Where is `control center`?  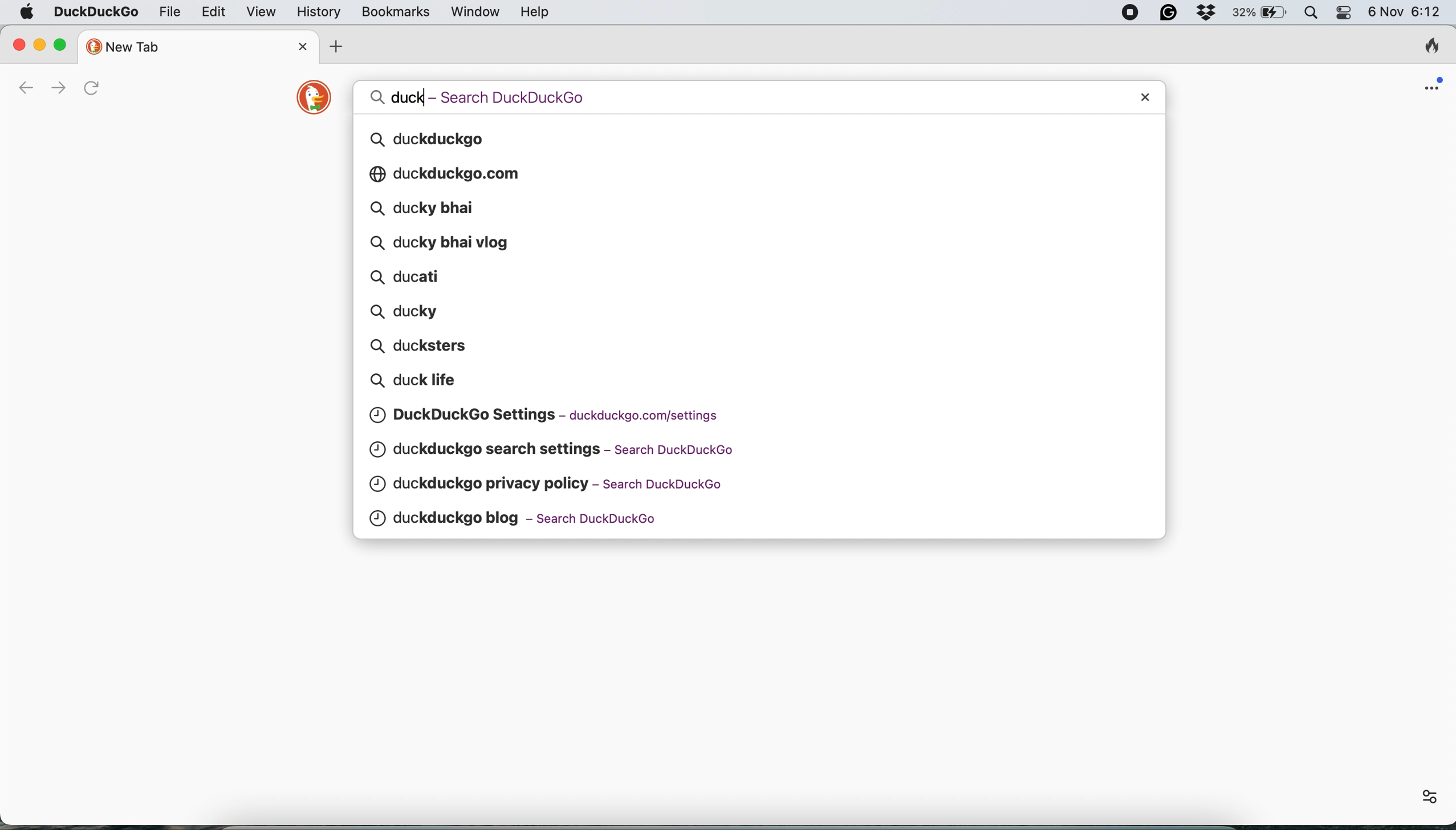
control center is located at coordinates (1344, 14).